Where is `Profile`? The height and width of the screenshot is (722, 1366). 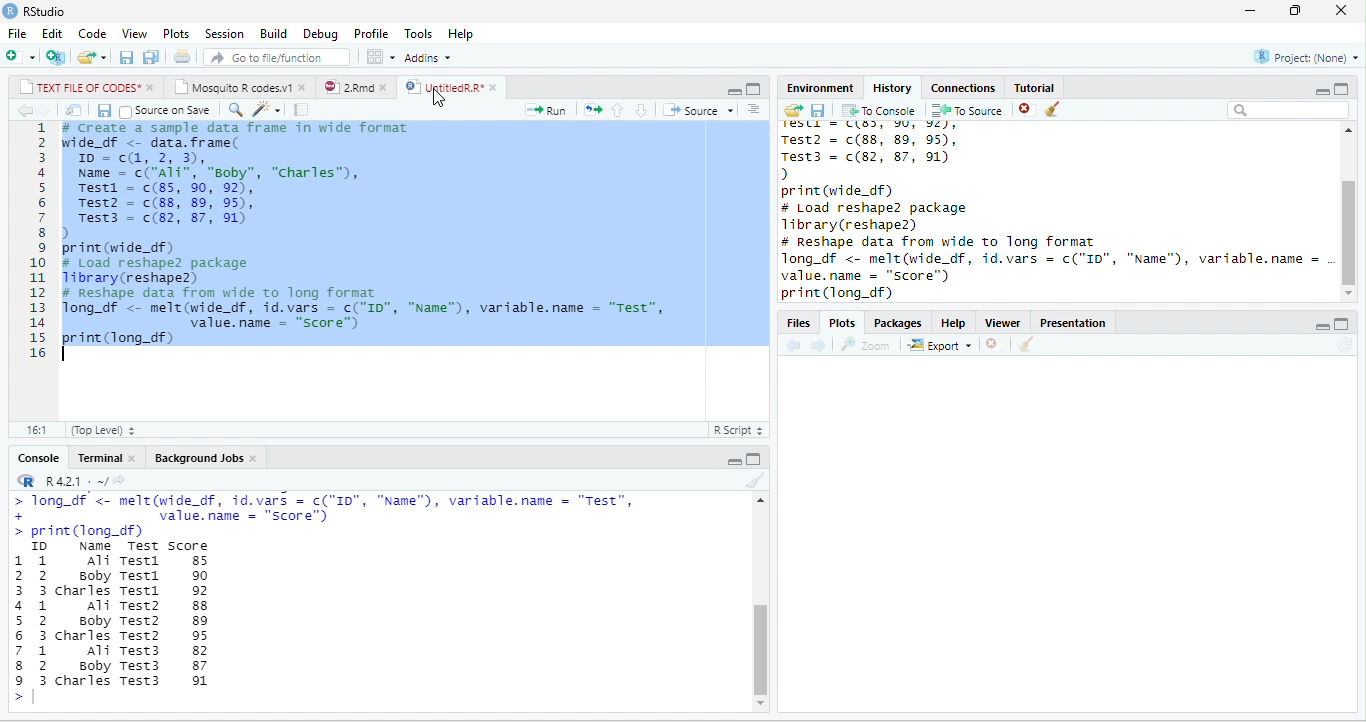 Profile is located at coordinates (371, 34).